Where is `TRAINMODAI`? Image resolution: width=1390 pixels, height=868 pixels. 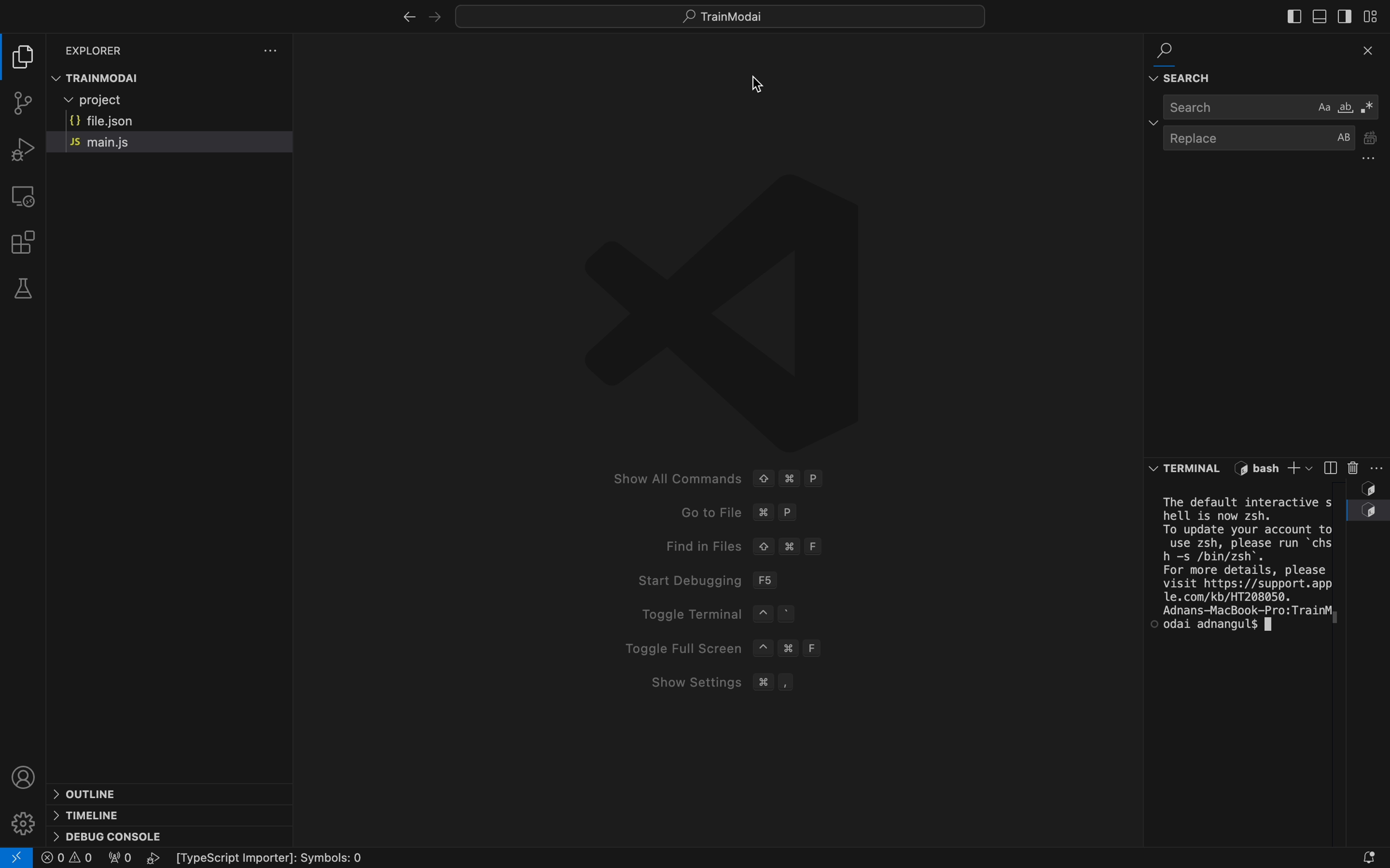
TRAINMODAI is located at coordinates (105, 76).